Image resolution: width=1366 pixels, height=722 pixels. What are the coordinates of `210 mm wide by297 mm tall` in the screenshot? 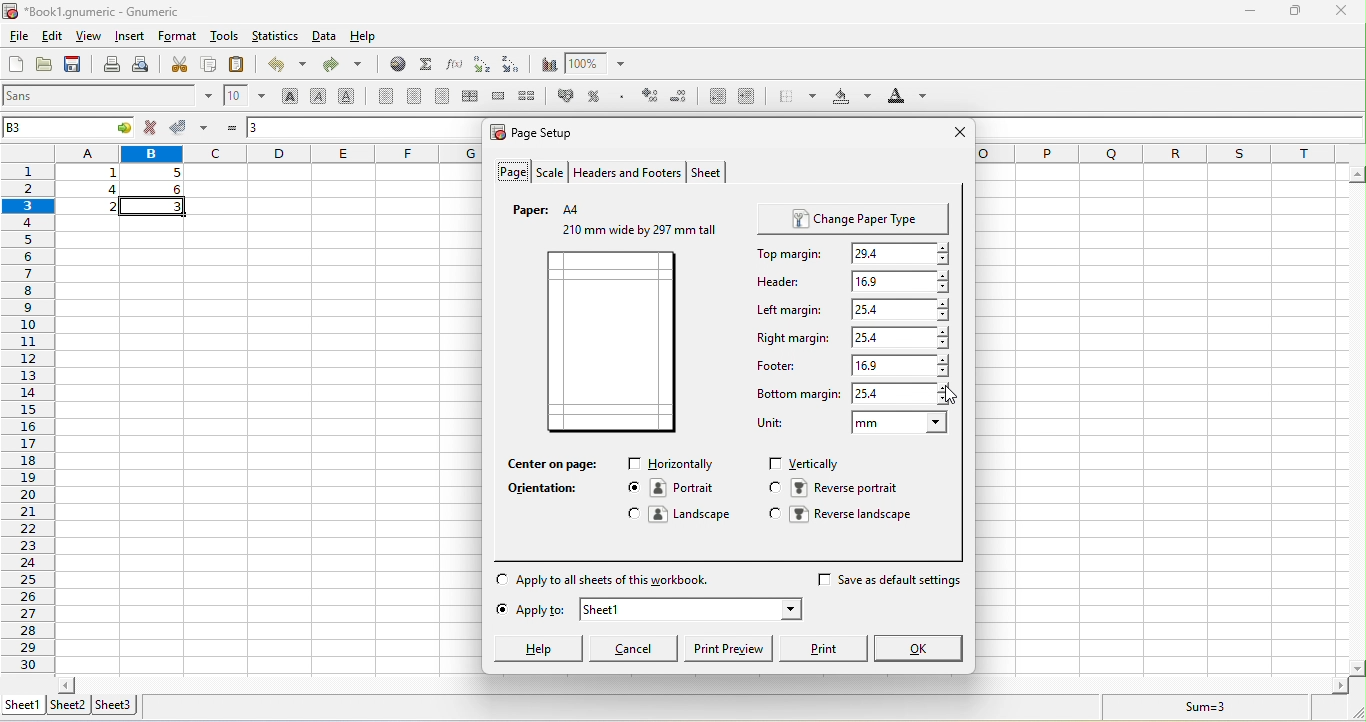 It's located at (637, 233).